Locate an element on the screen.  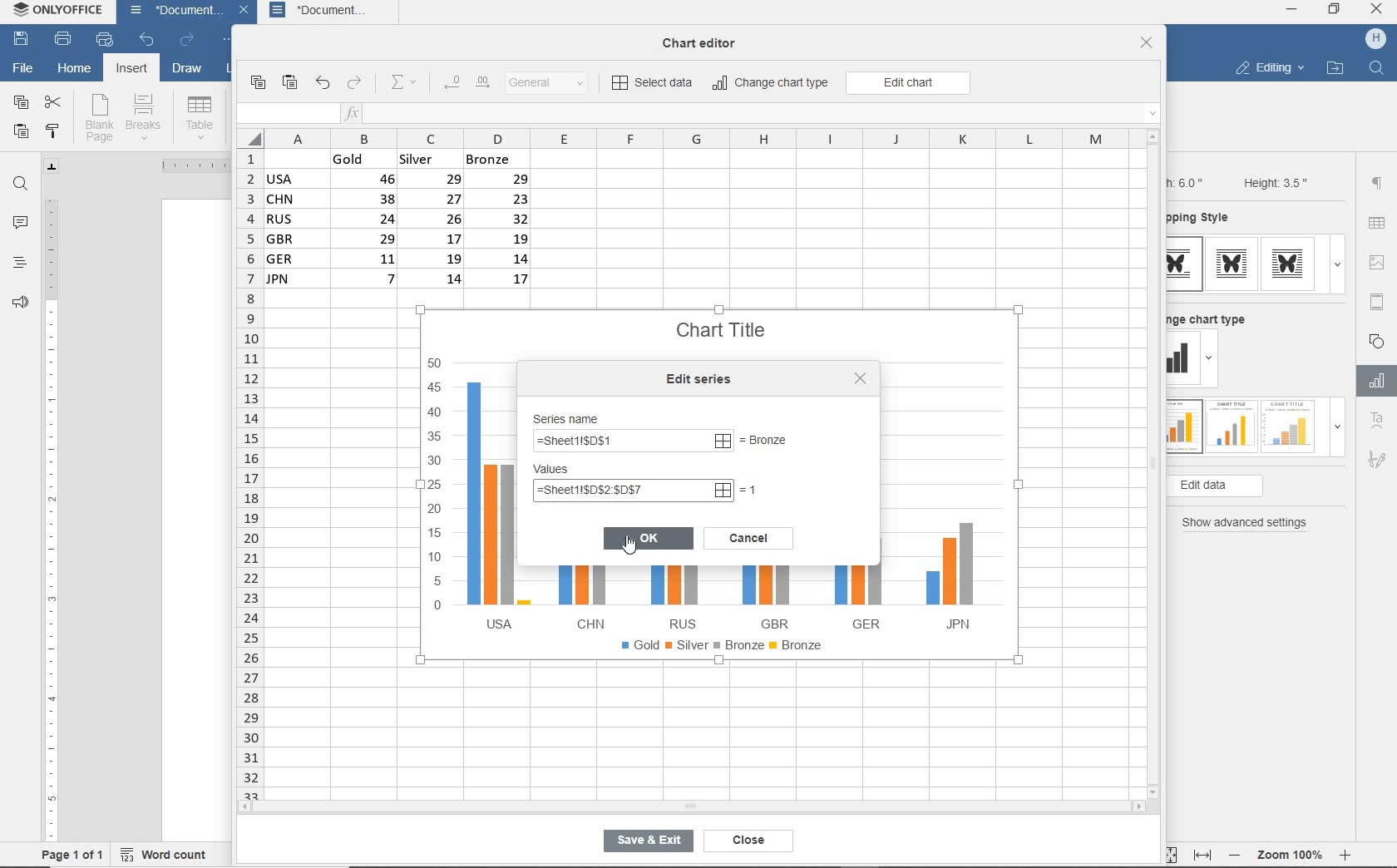
search is located at coordinates (1379, 67).